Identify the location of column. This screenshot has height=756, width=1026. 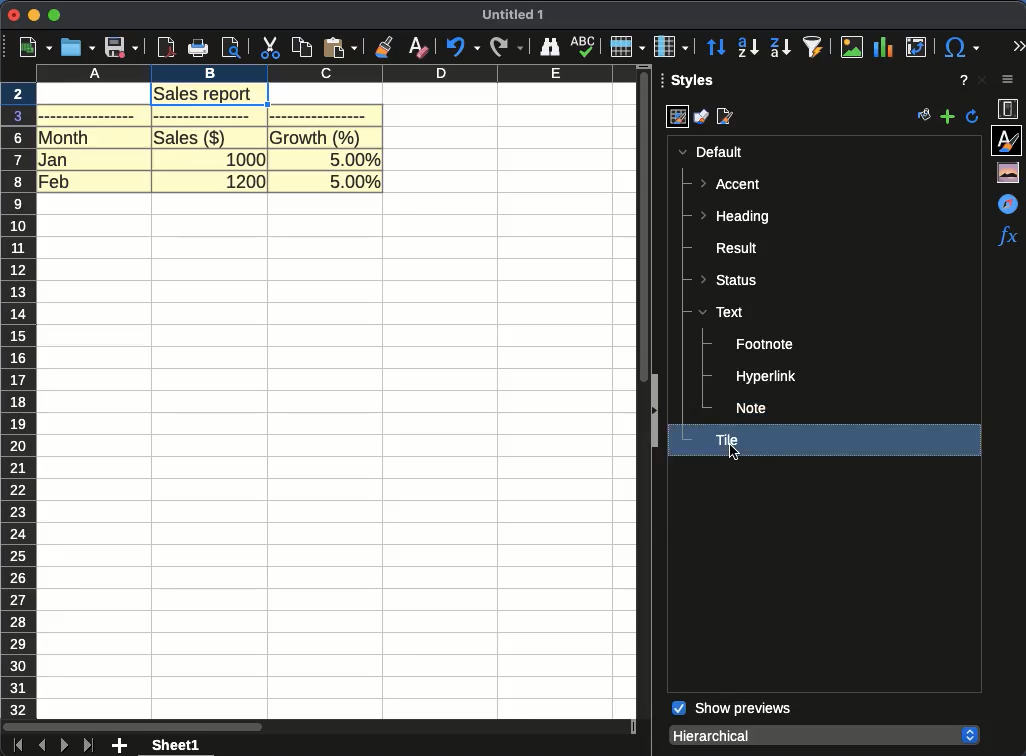
(671, 47).